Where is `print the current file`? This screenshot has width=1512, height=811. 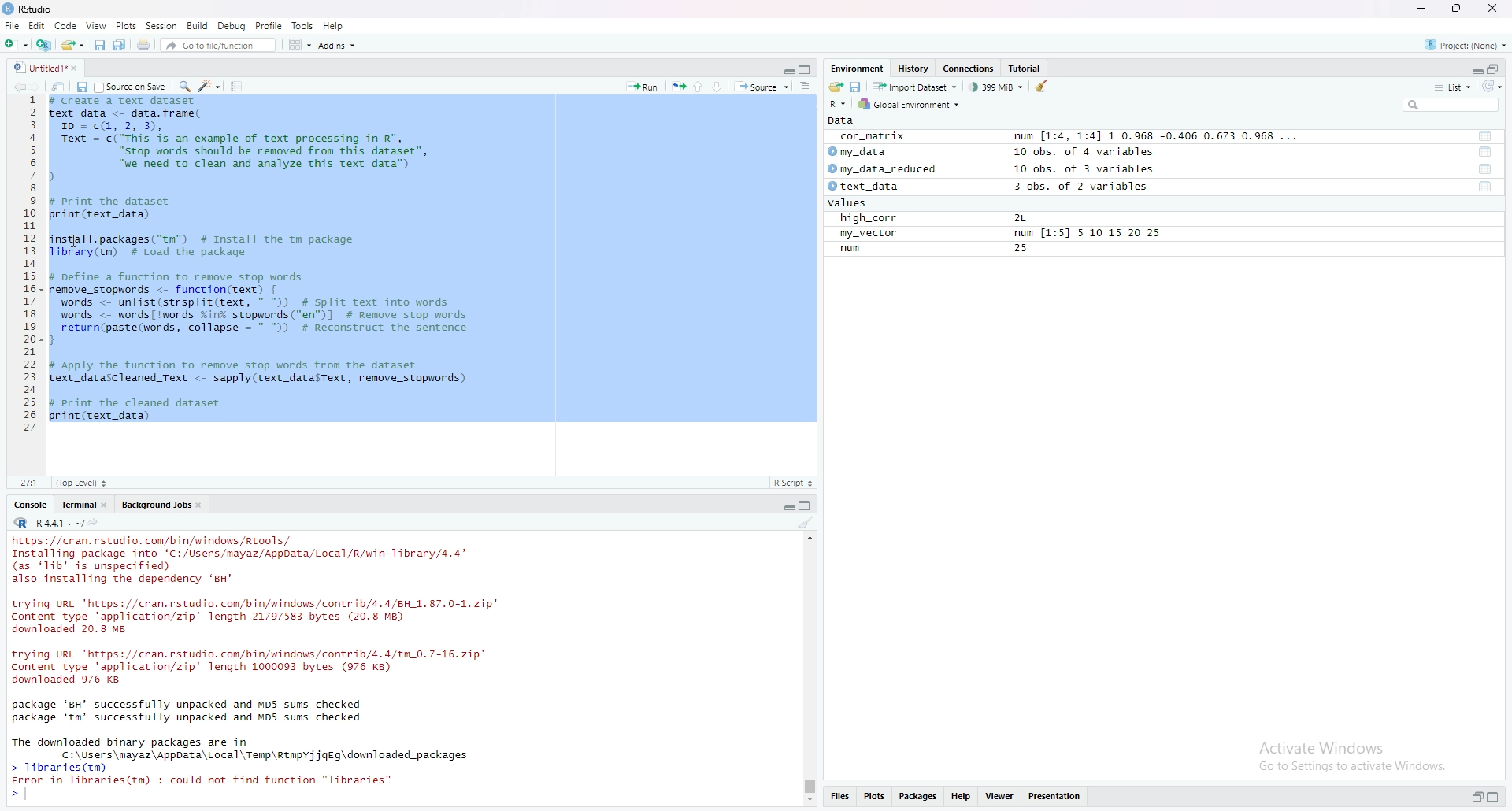 print the current file is located at coordinates (145, 47).